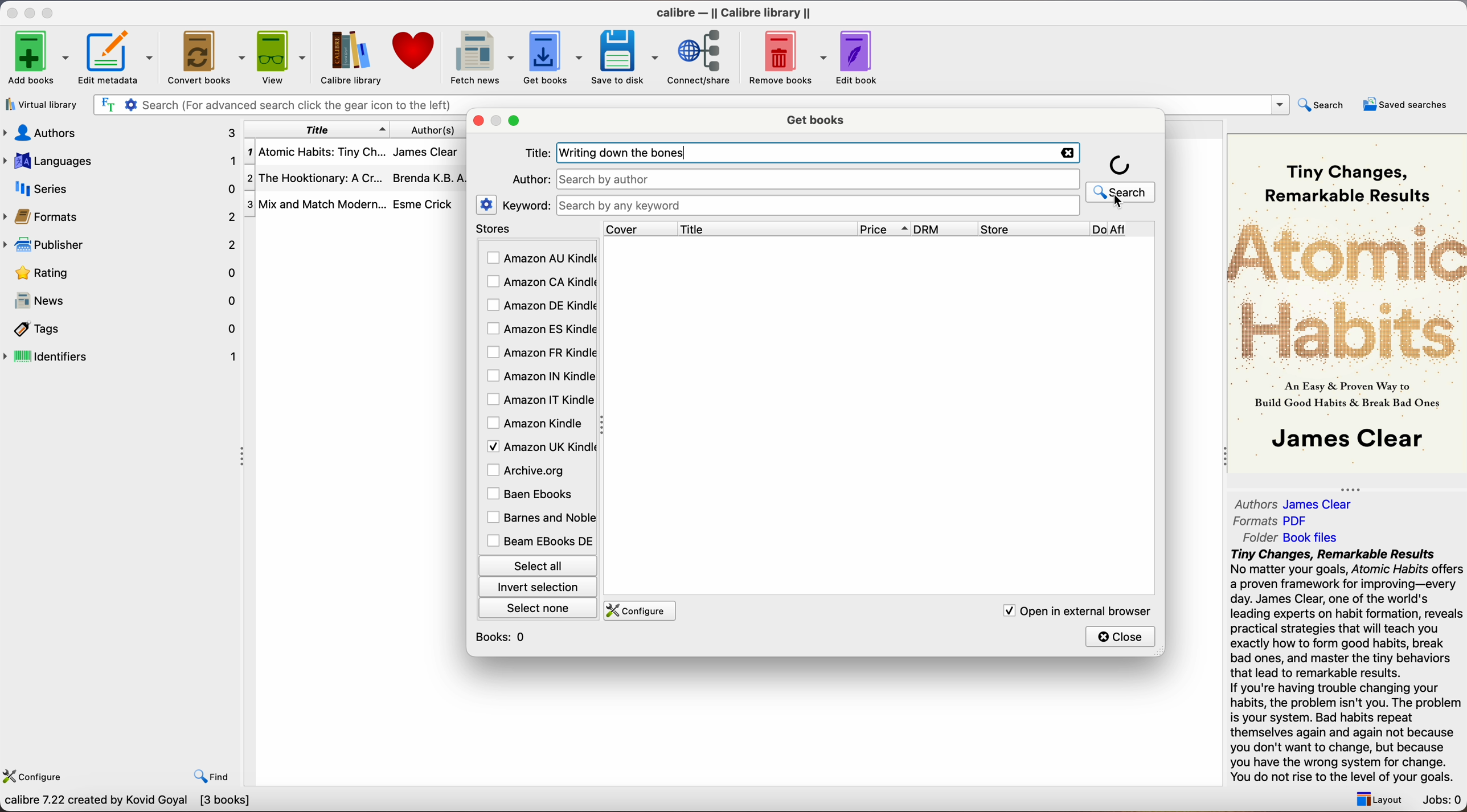 Image resolution: width=1467 pixels, height=812 pixels. Describe the element at coordinates (544, 56) in the screenshot. I see `click on get books` at that location.